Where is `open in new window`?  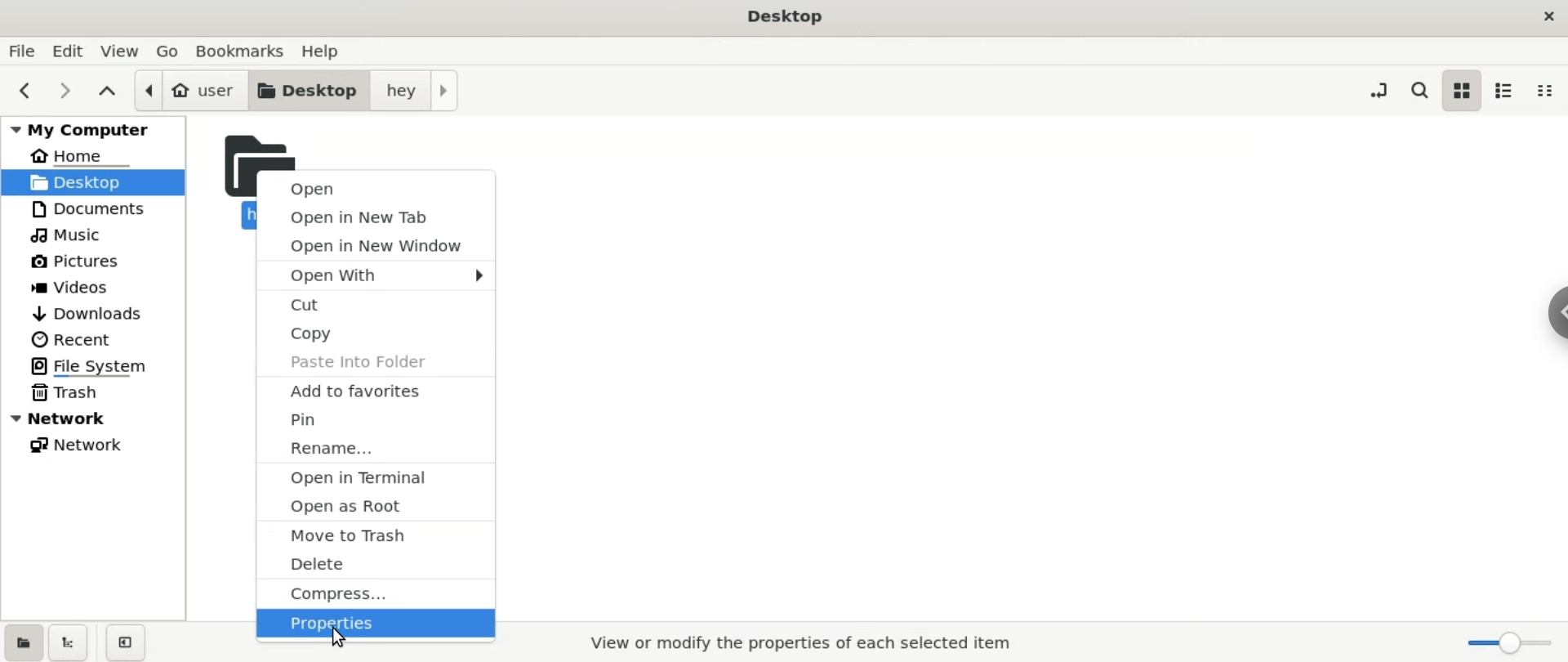 open in new window is located at coordinates (374, 248).